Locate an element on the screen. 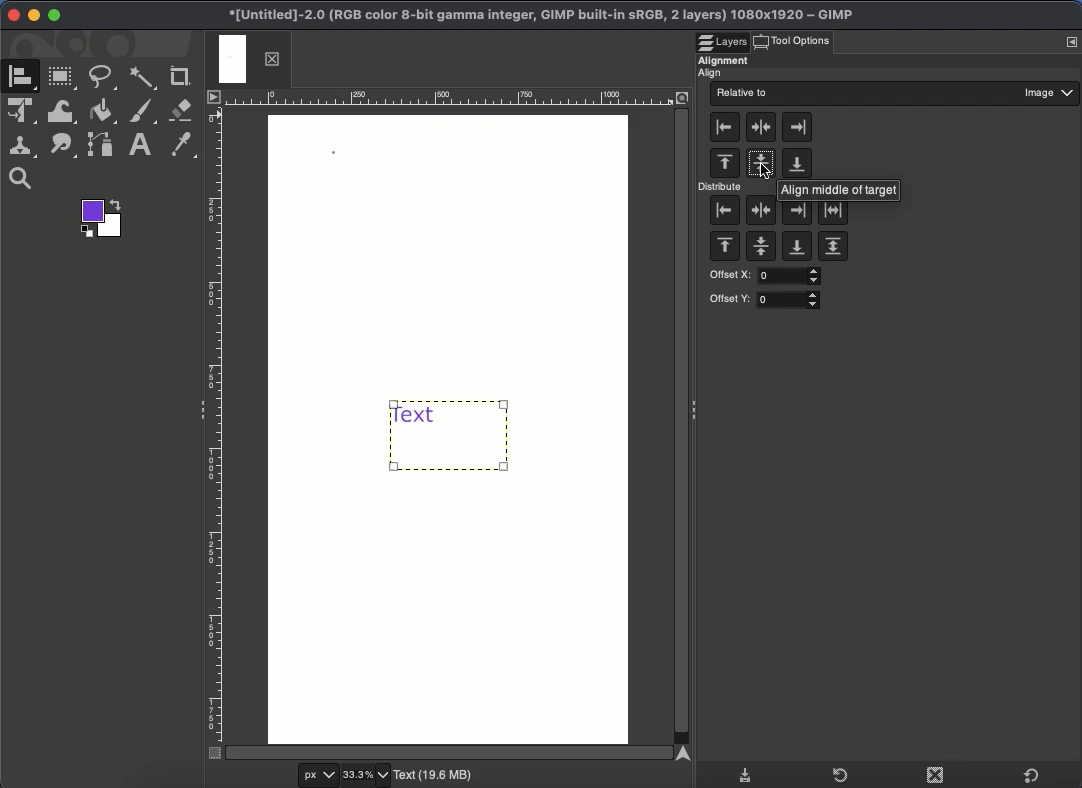 Image resolution: width=1082 pixels, height=788 pixels. Tab is located at coordinates (247, 60).